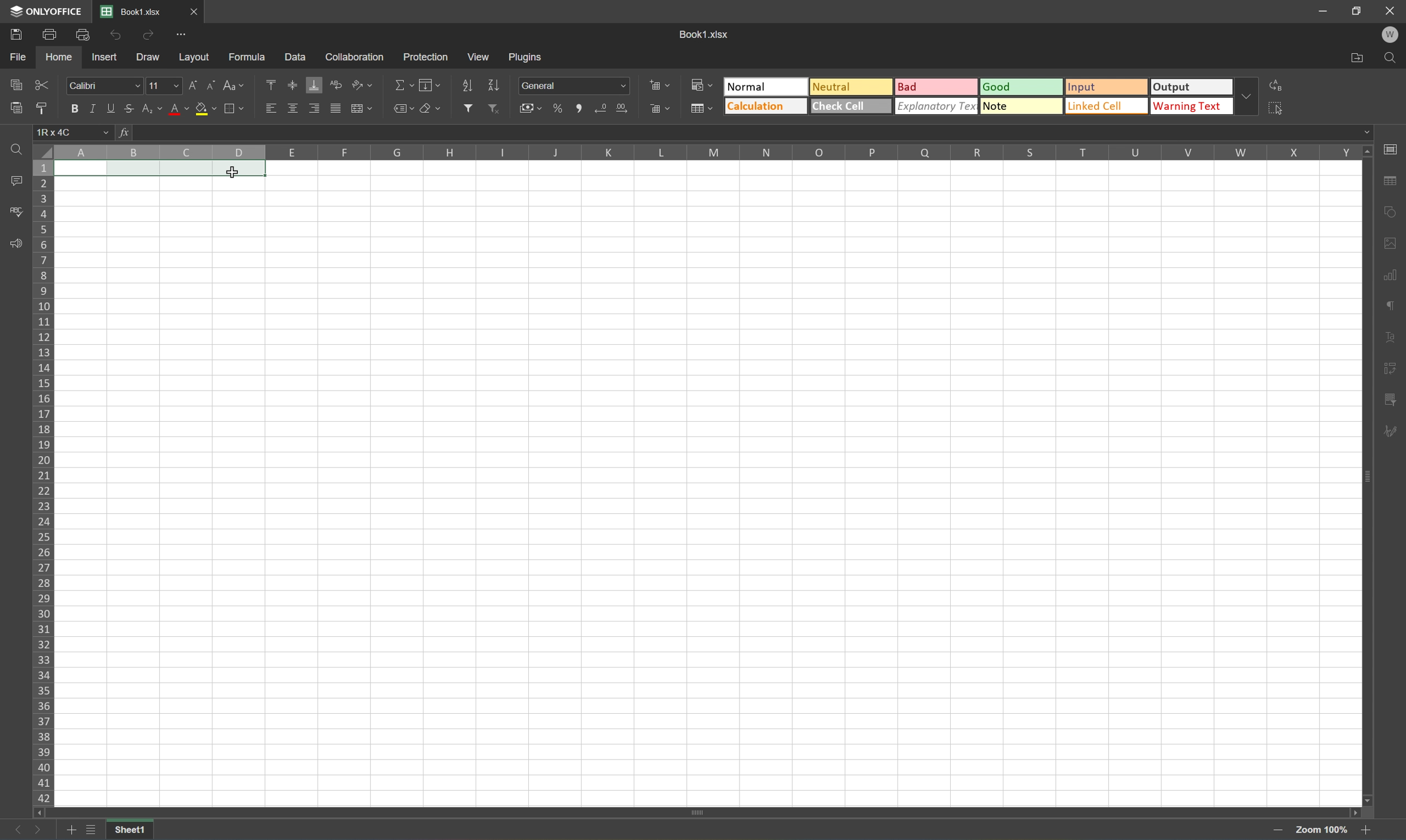  Describe the element at coordinates (700, 107) in the screenshot. I see `Format as table template` at that location.